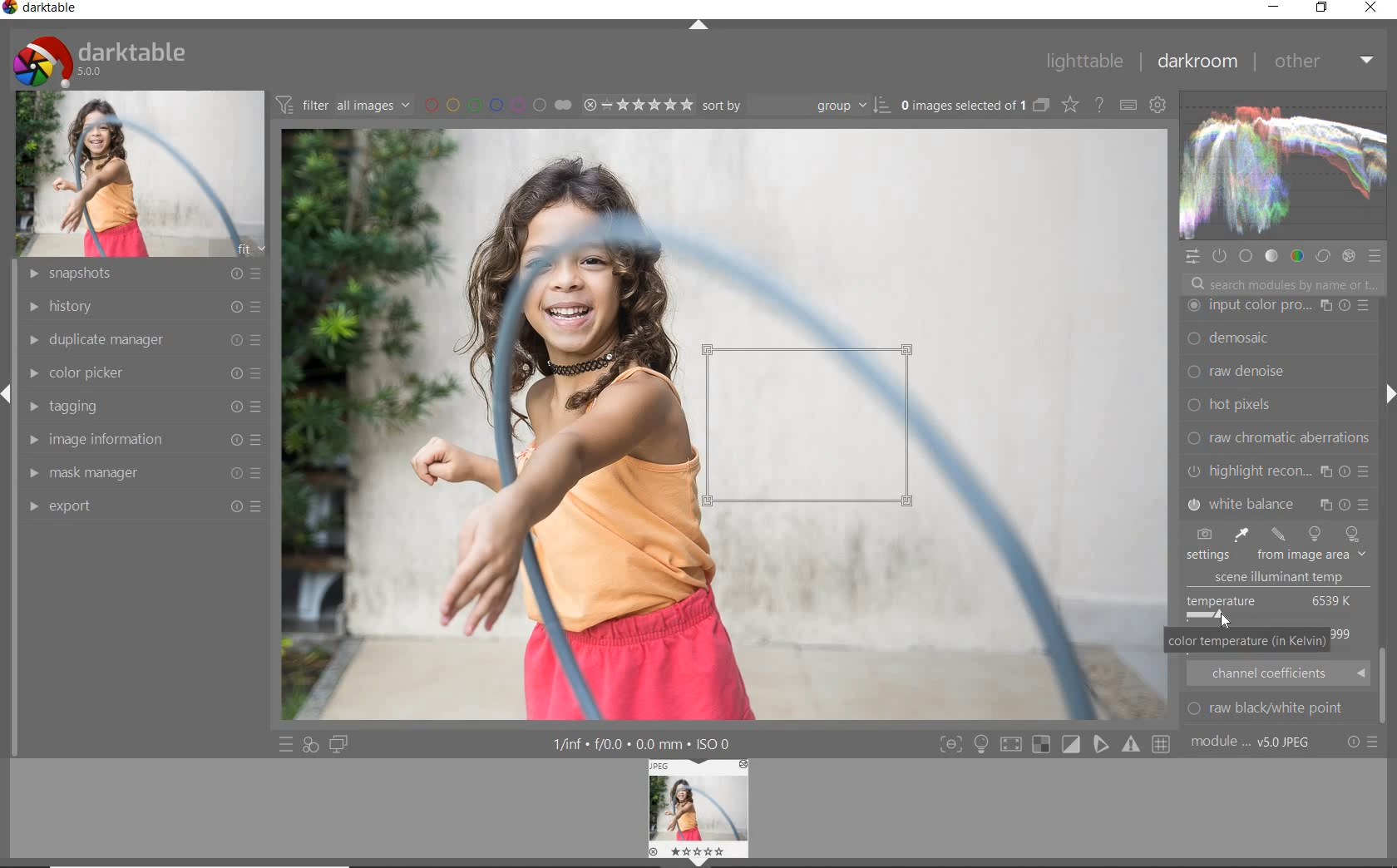  Describe the element at coordinates (103, 57) in the screenshot. I see `system logo & name` at that location.